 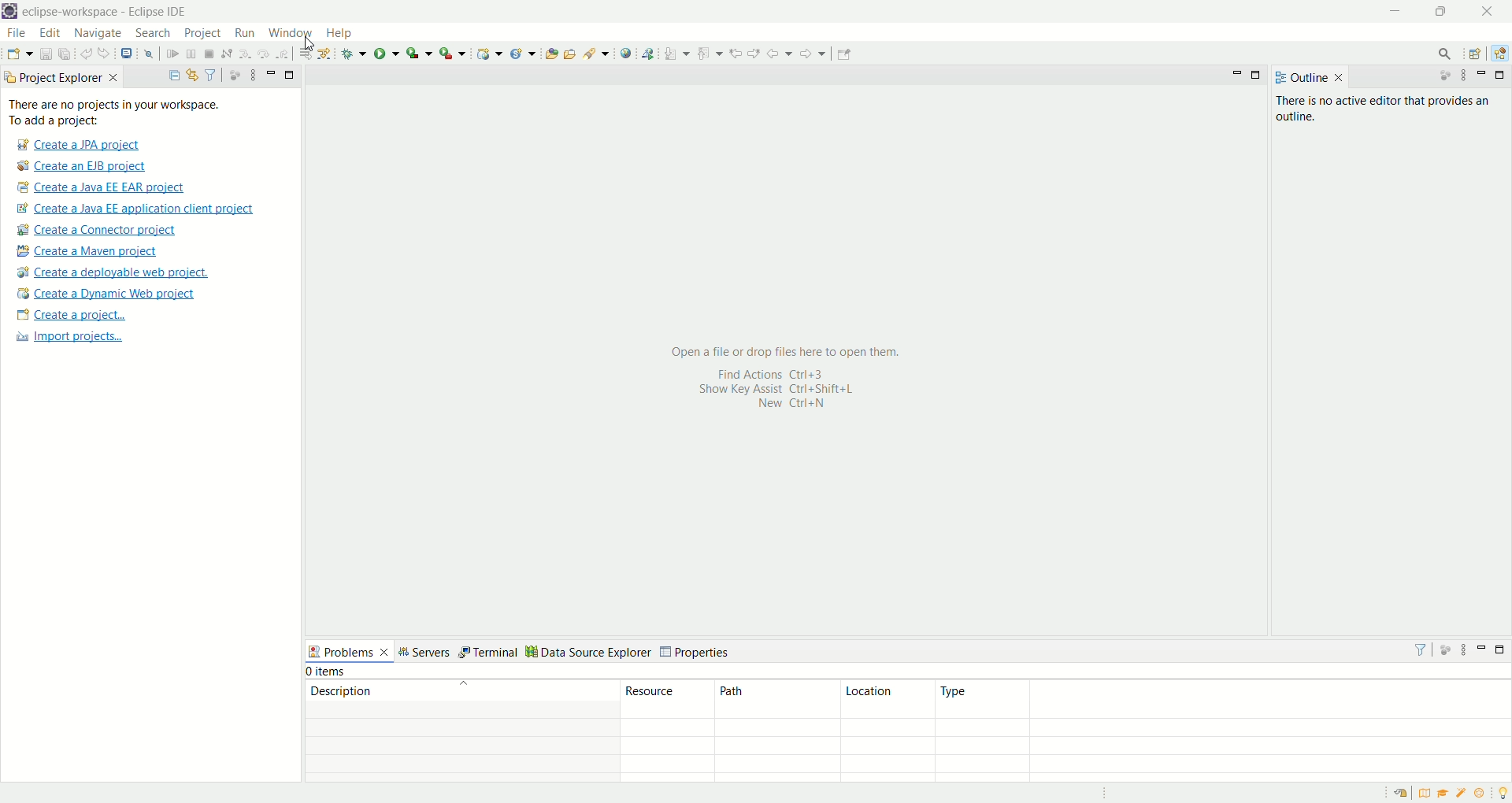 What do you see at coordinates (754, 52) in the screenshot?
I see `next edit location` at bounding box center [754, 52].